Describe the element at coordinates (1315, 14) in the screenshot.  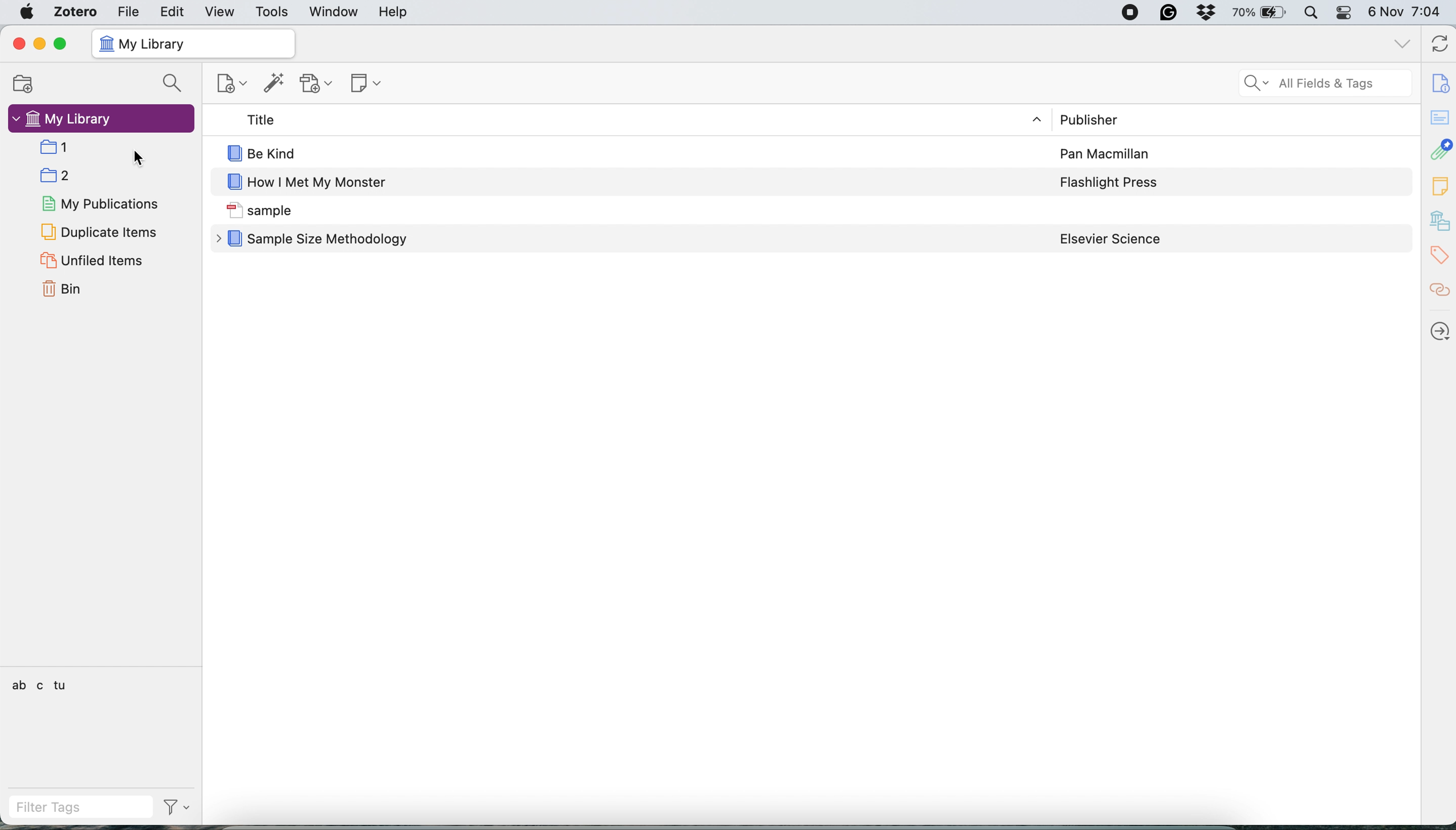
I see `spotlight search` at that location.